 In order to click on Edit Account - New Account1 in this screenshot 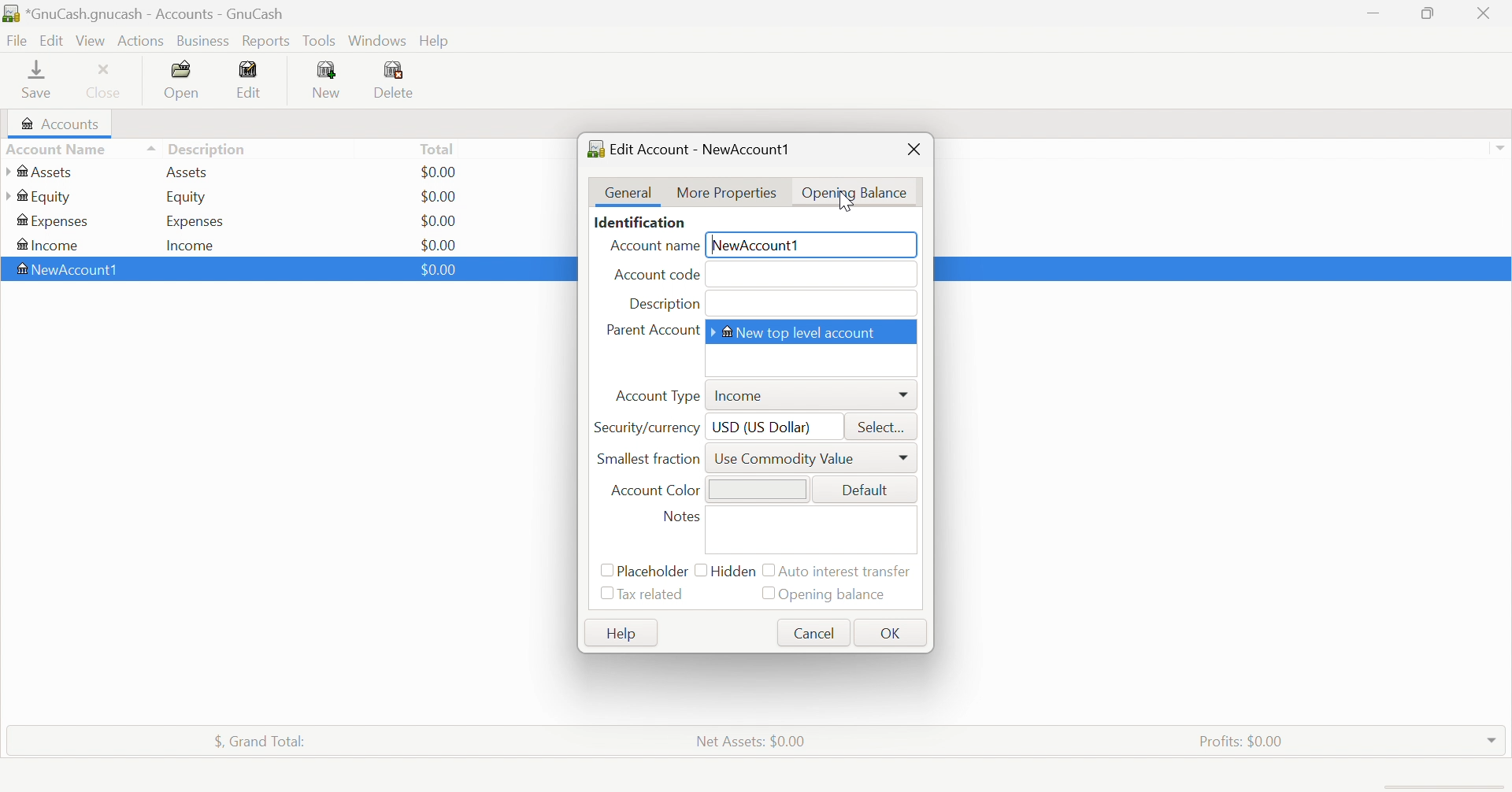, I will do `click(695, 149)`.